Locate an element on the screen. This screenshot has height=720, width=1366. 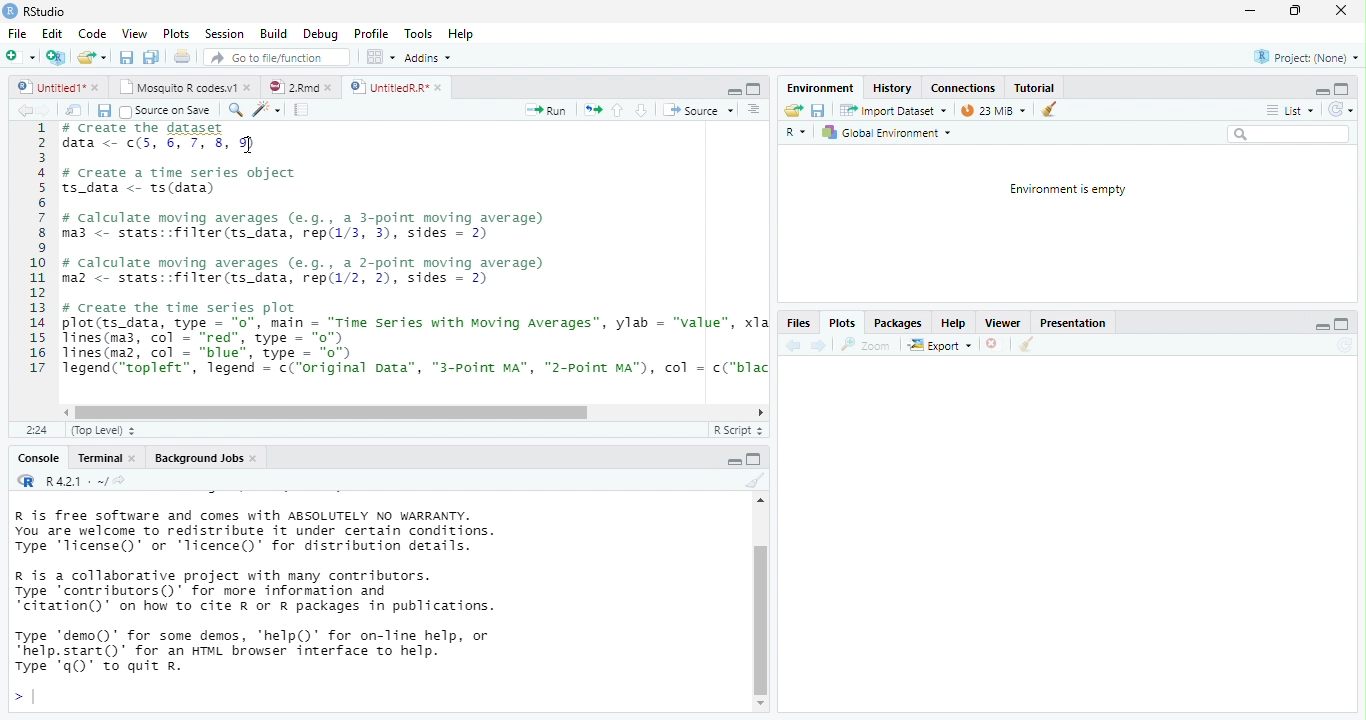
cursor is located at coordinates (250, 145).